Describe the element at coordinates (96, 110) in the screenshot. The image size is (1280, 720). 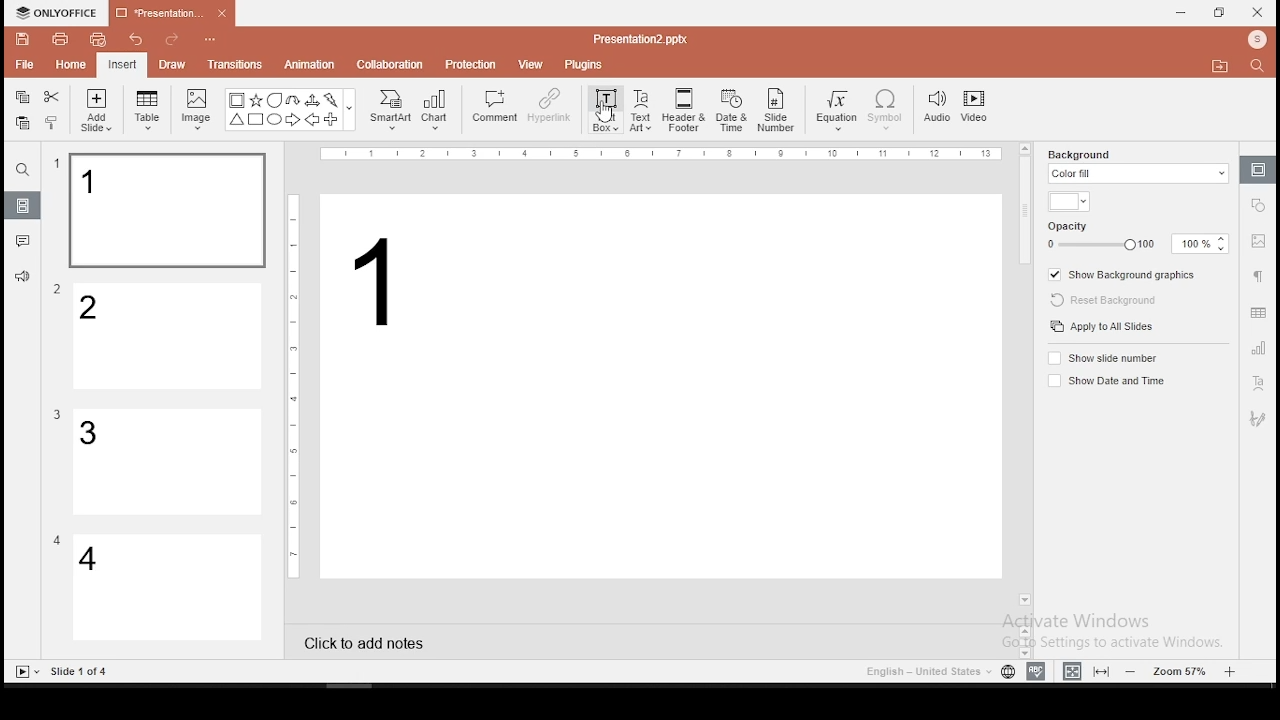
I see `add slide` at that location.